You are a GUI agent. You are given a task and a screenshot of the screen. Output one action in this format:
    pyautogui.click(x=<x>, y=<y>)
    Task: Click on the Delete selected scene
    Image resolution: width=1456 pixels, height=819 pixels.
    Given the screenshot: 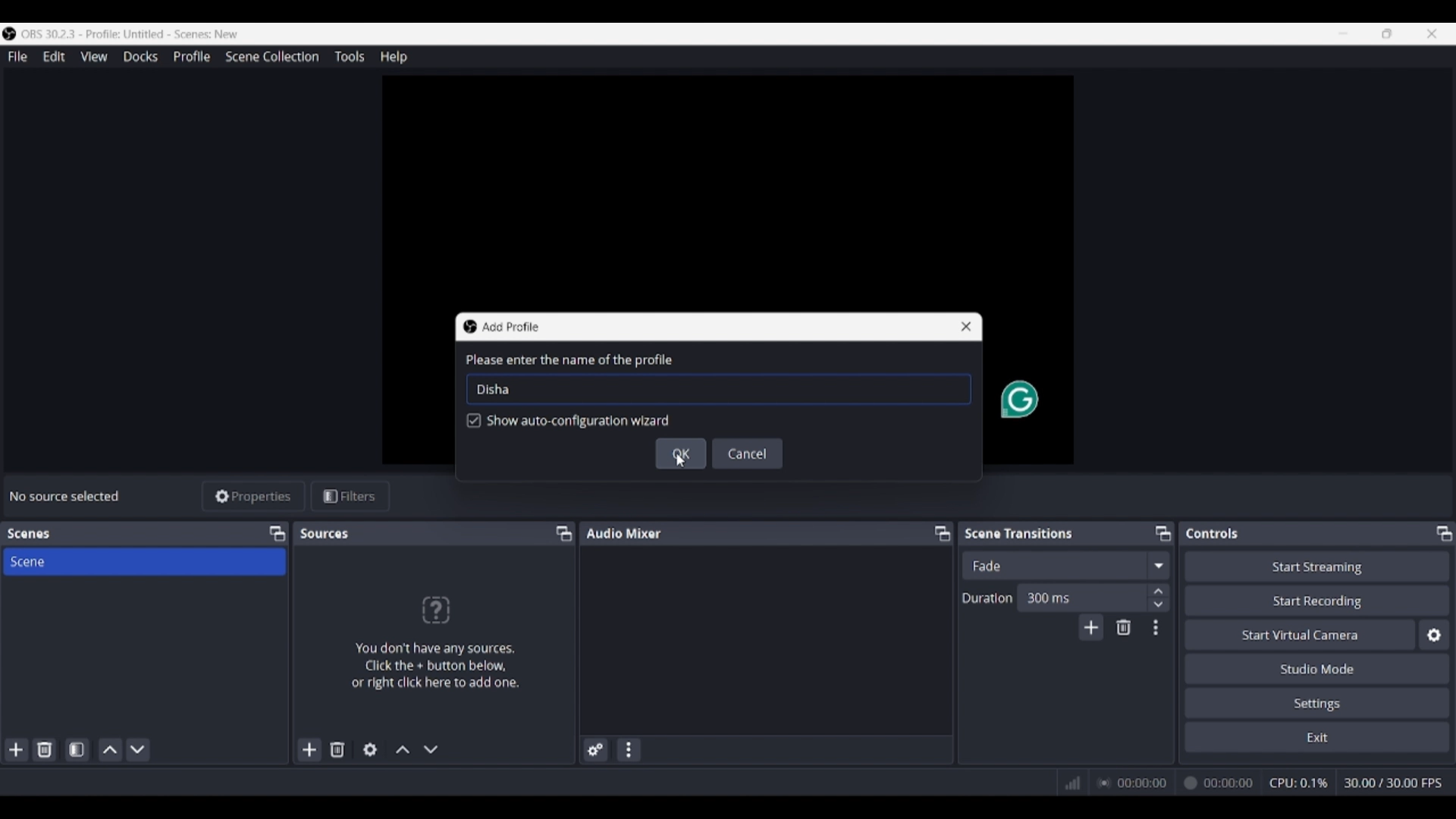 What is the action you would take?
    pyautogui.click(x=44, y=749)
    